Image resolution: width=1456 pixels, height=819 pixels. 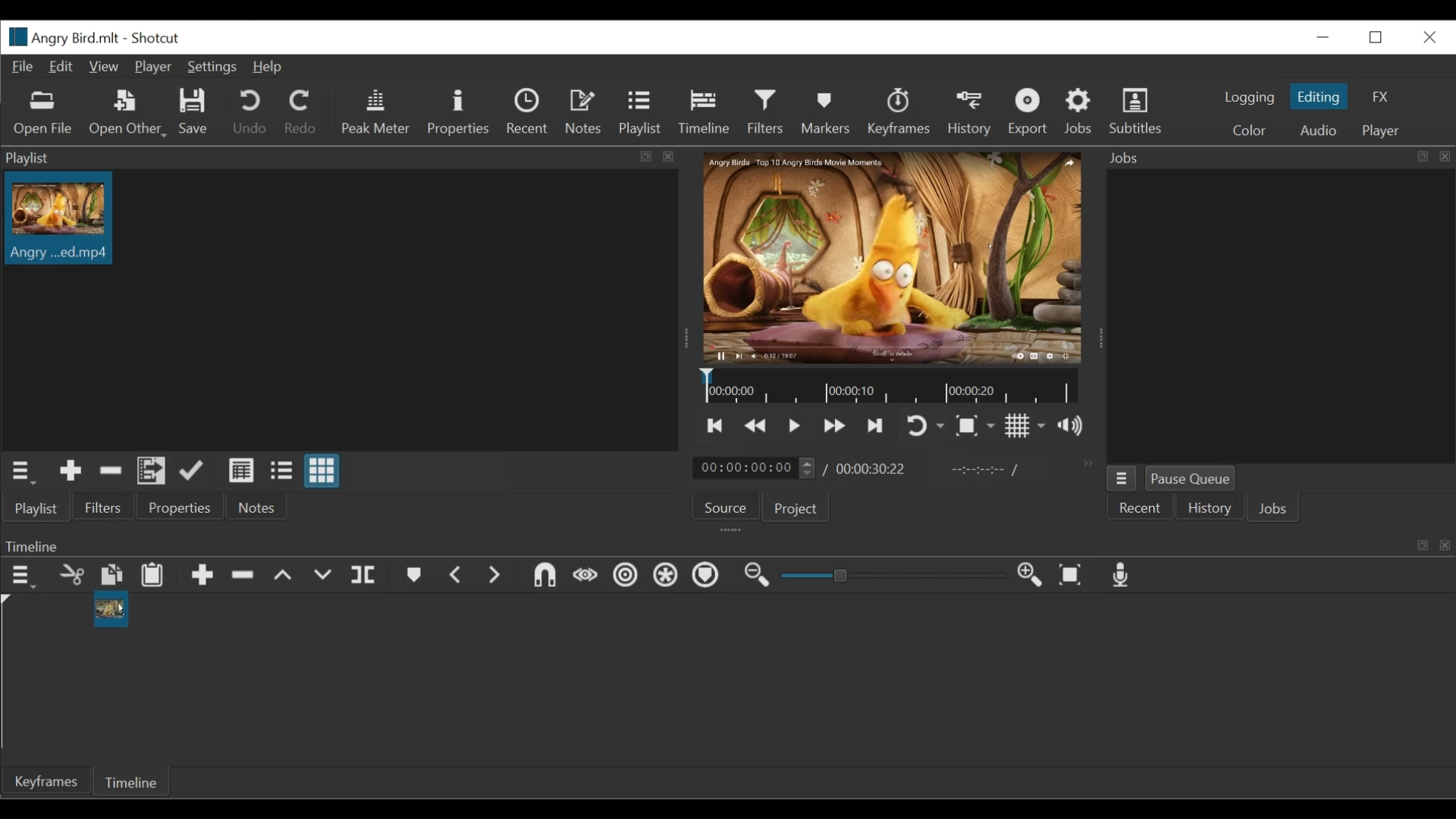 What do you see at coordinates (324, 578) in the screenshot?
I see `Overwrite` at bounding box center [324, 578].